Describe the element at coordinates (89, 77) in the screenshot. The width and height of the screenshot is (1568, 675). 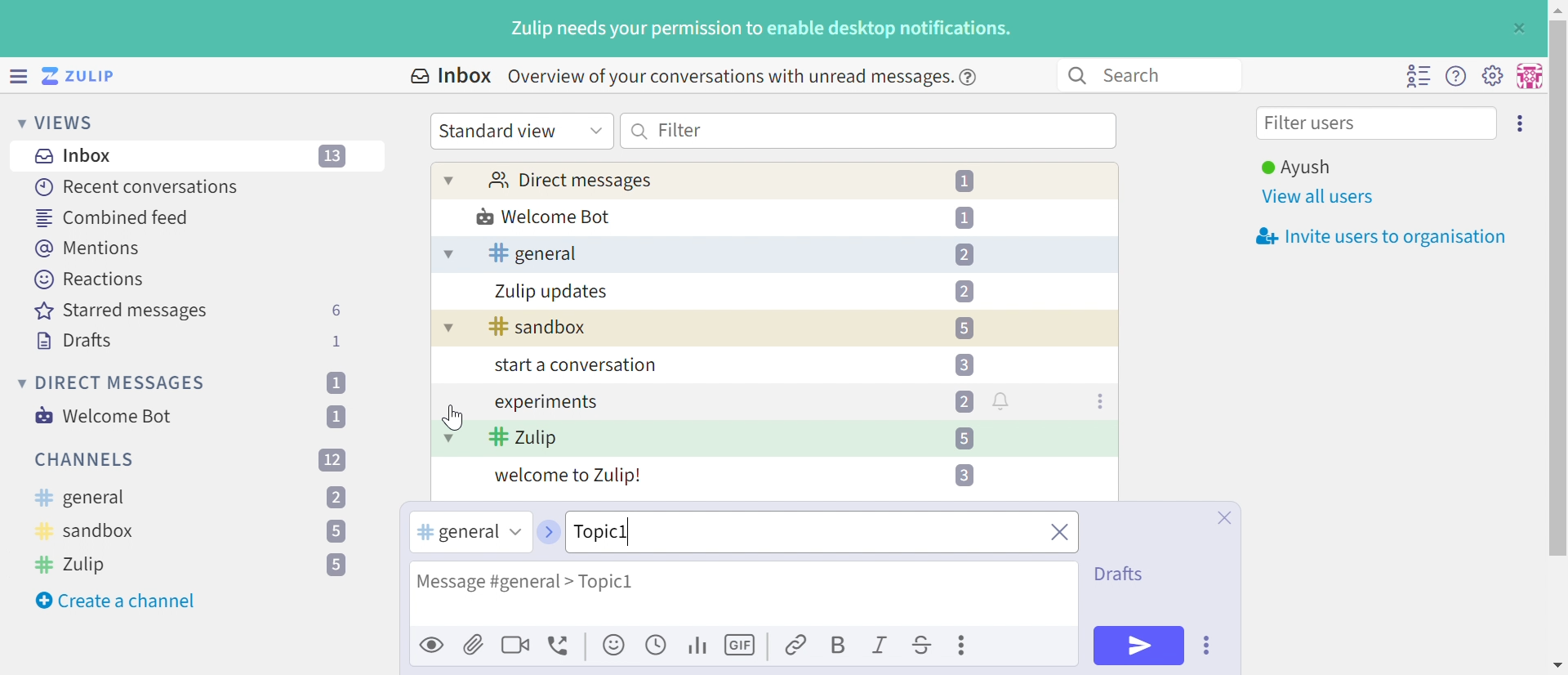
I see `ZULIP` at that location.